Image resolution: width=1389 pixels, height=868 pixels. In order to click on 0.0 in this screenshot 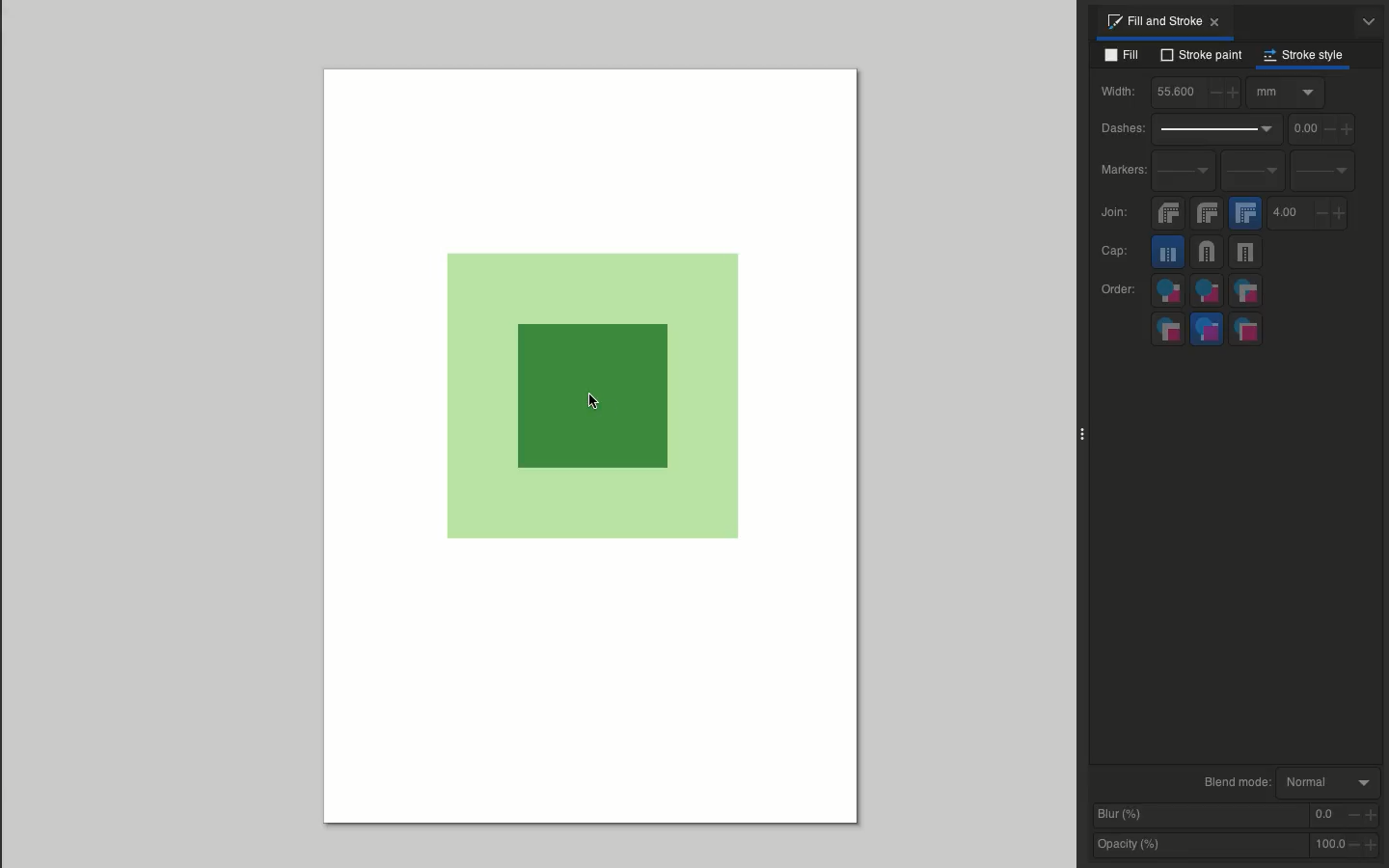, I will do `click(1321, 128)`.